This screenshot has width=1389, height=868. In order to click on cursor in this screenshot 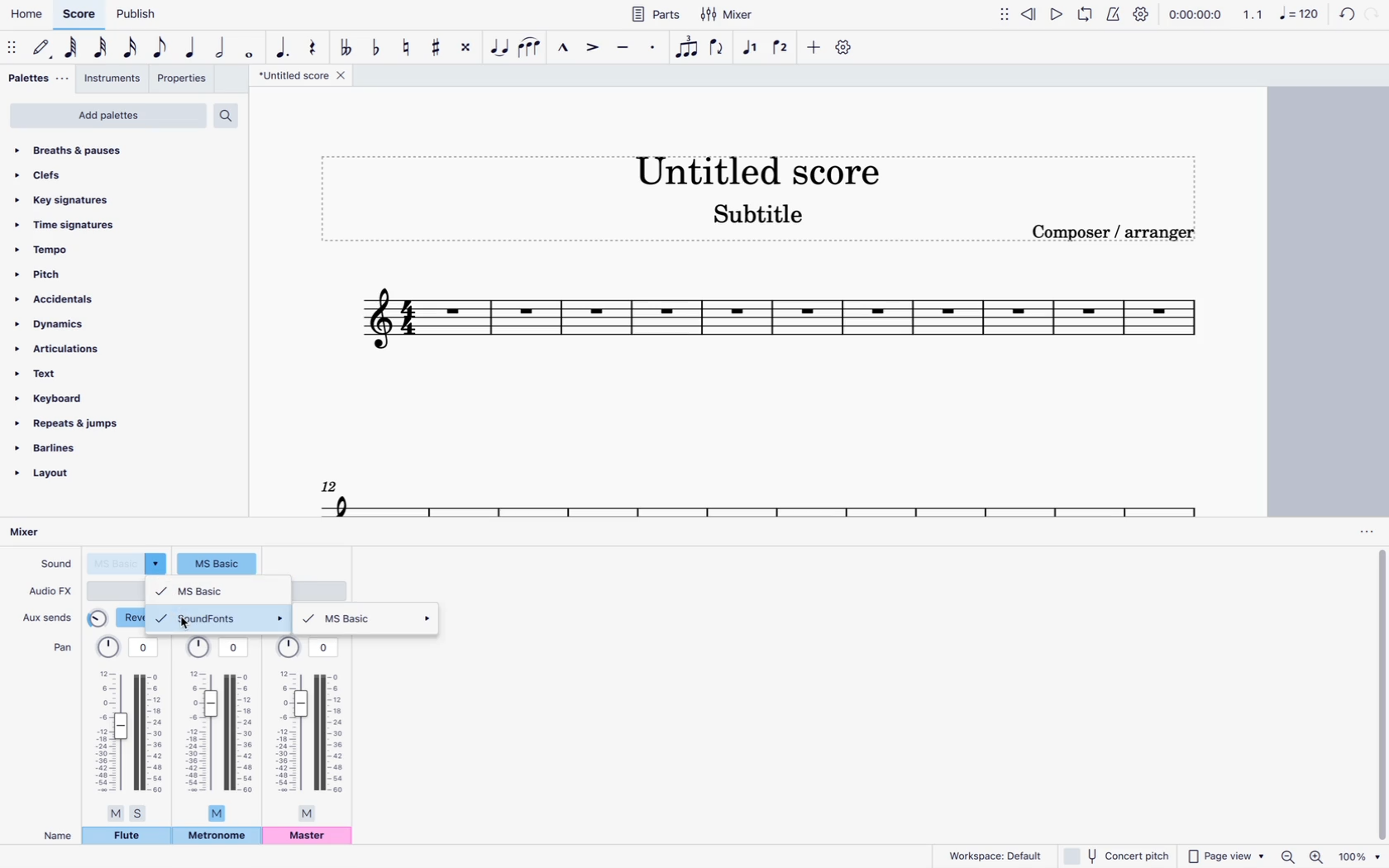, I will do `click(185, 627)`.